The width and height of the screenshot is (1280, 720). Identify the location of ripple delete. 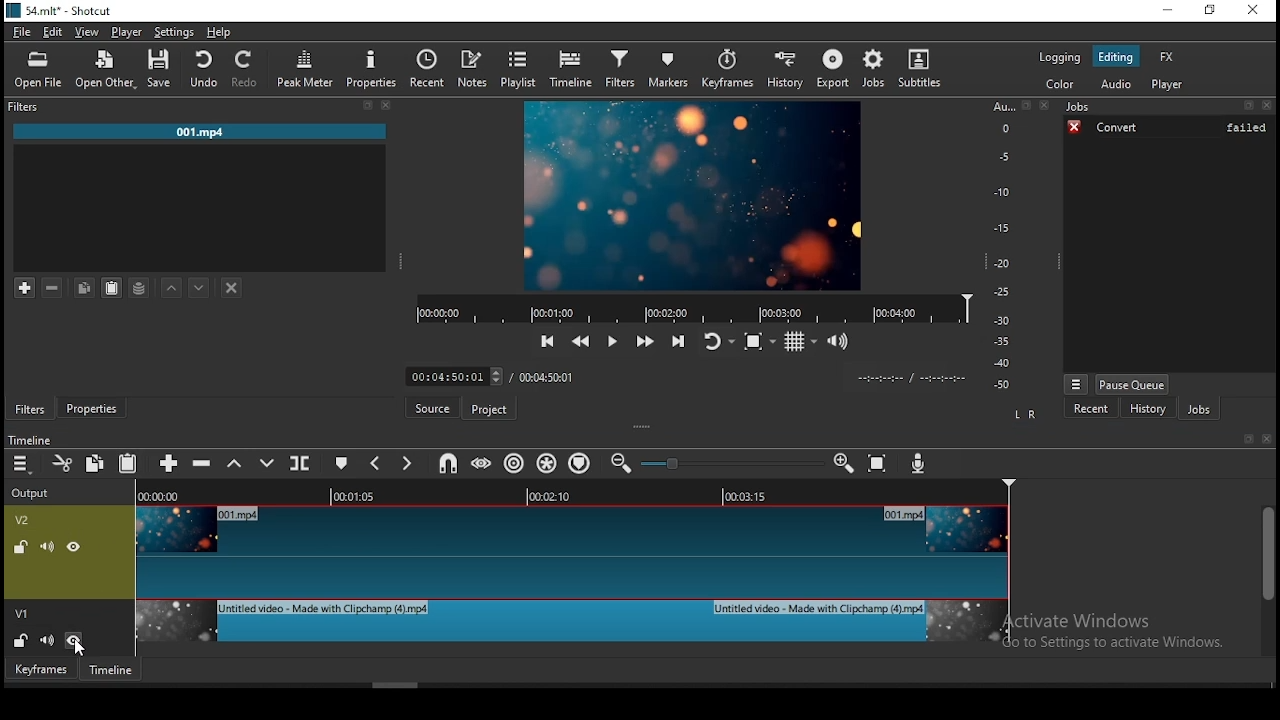
(203, 464).